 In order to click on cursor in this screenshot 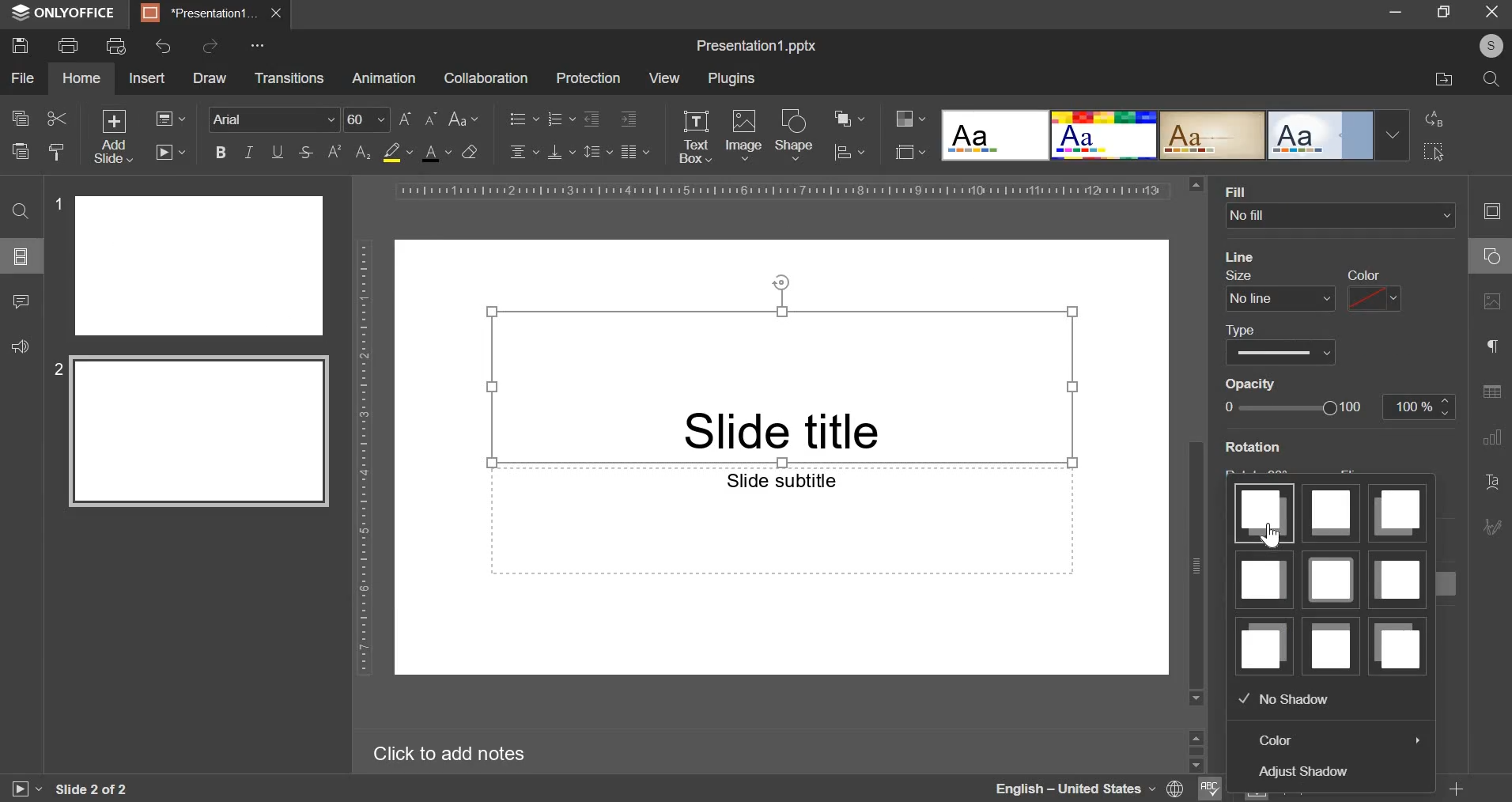, I will do `click(1276, 538)`.